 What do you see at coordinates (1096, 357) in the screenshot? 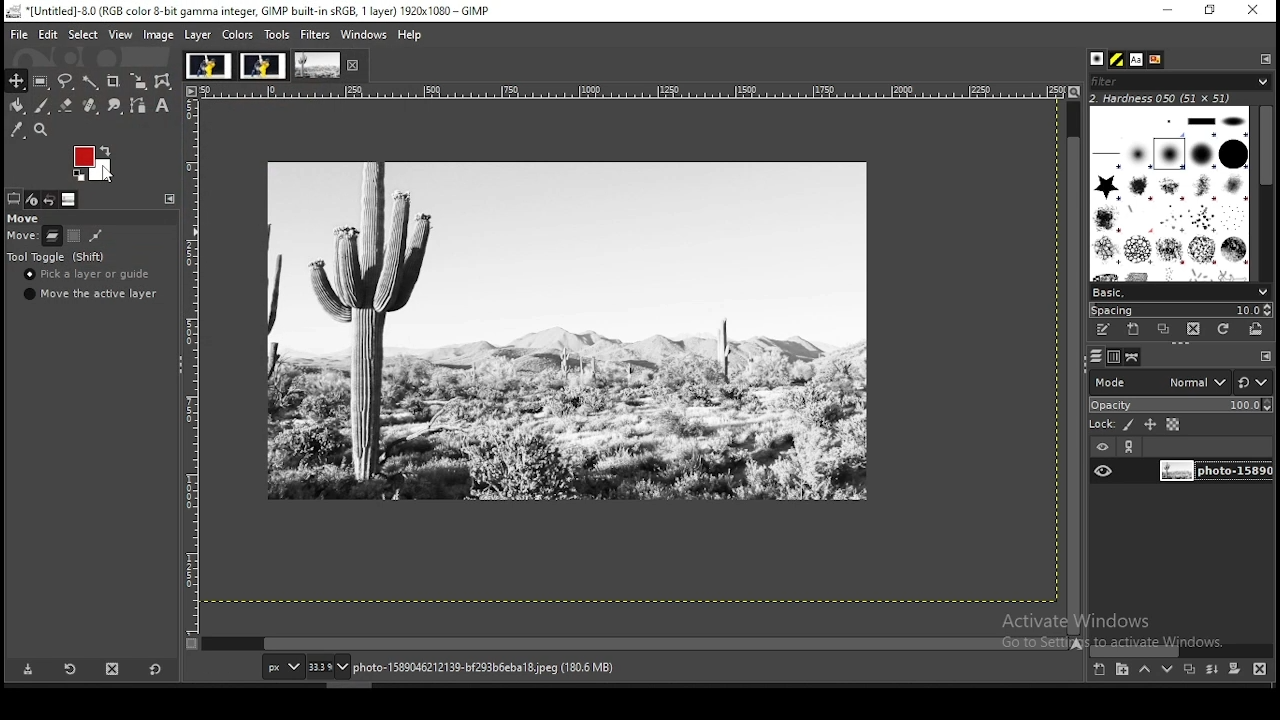
I see `layers` at bounding box center [1096, 357].